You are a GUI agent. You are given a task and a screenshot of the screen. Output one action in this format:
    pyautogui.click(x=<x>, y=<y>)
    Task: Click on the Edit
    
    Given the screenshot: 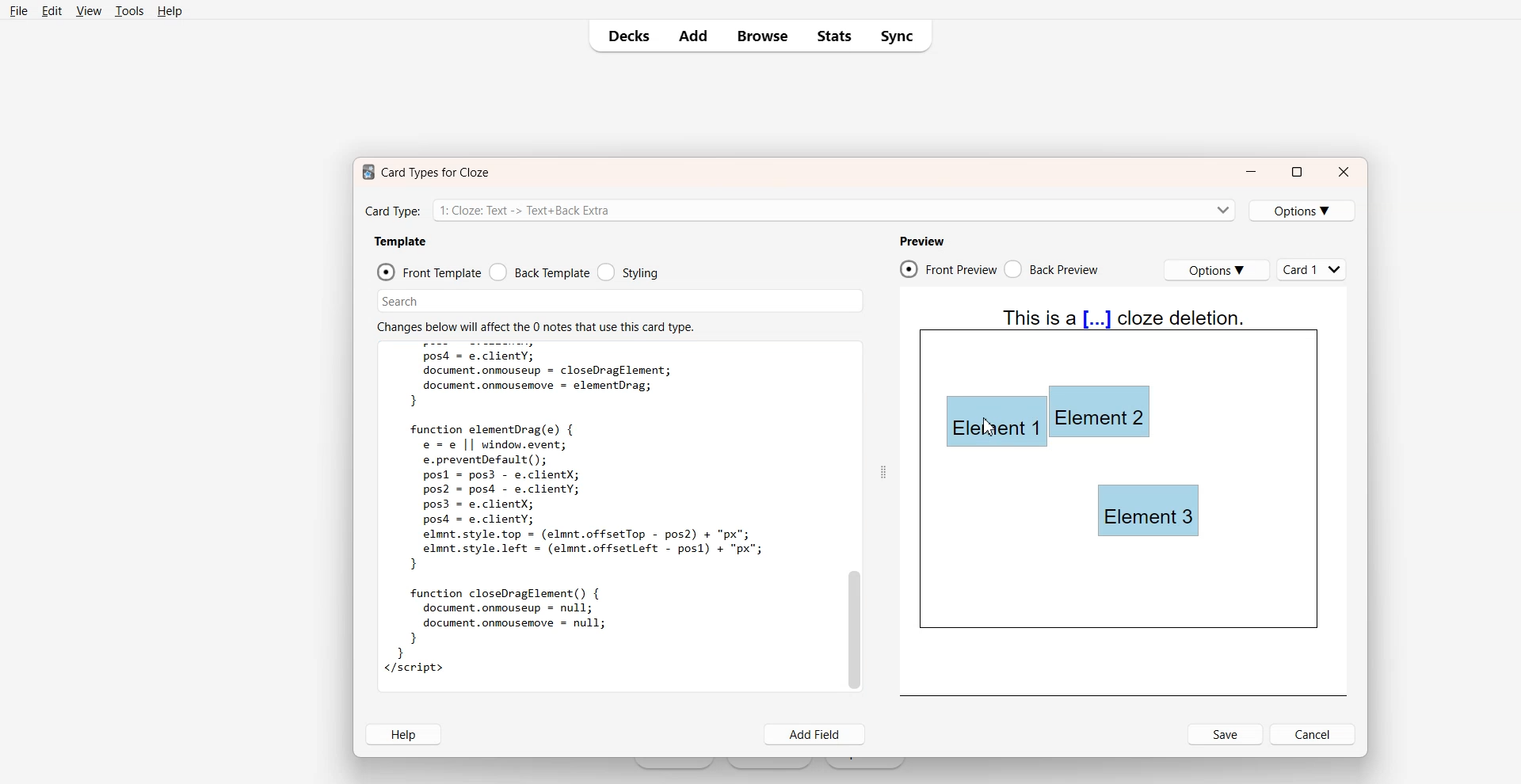 What is the action you would take?
    pyautogui.click(x=51, y=10)
    